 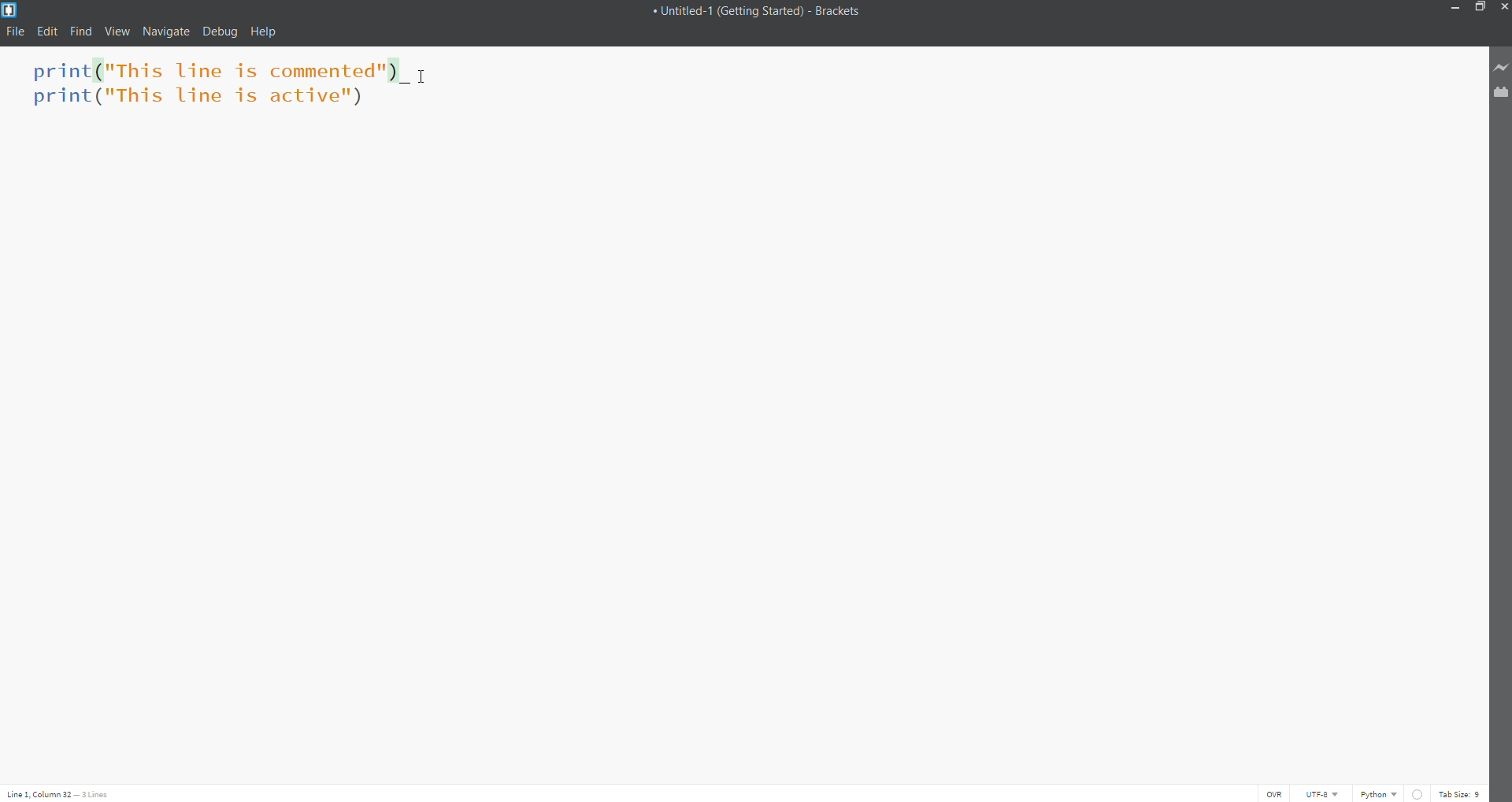 What do you see at coordinates (1460, 793) in the screenshot?
I see `Tab Size` at bounding box center [1460, 793].